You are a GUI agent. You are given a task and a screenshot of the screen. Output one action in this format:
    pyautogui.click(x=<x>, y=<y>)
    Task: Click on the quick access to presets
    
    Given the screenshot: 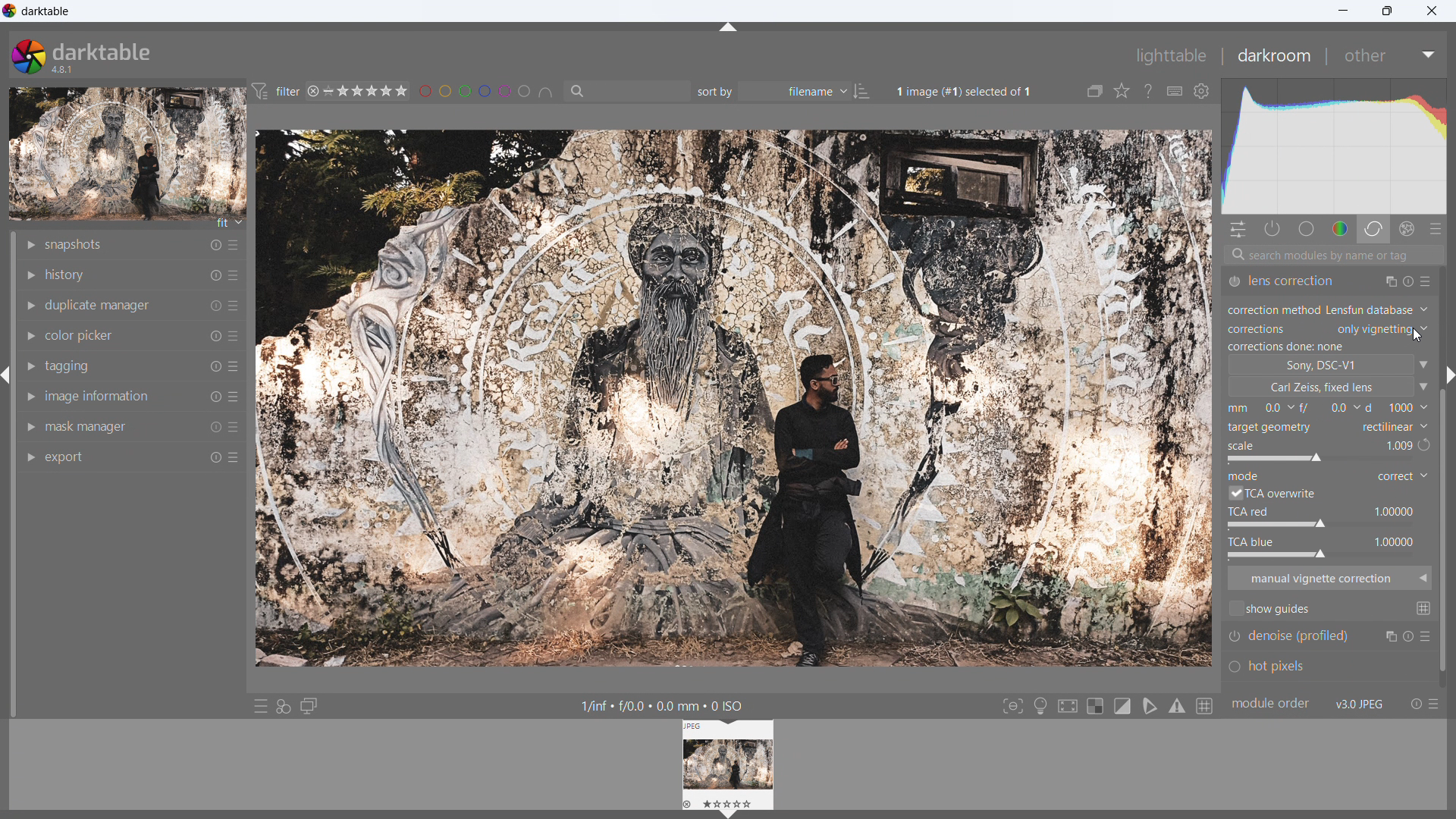 What is the action you would take?
    pyautogui.click(x=260, y=706)
    